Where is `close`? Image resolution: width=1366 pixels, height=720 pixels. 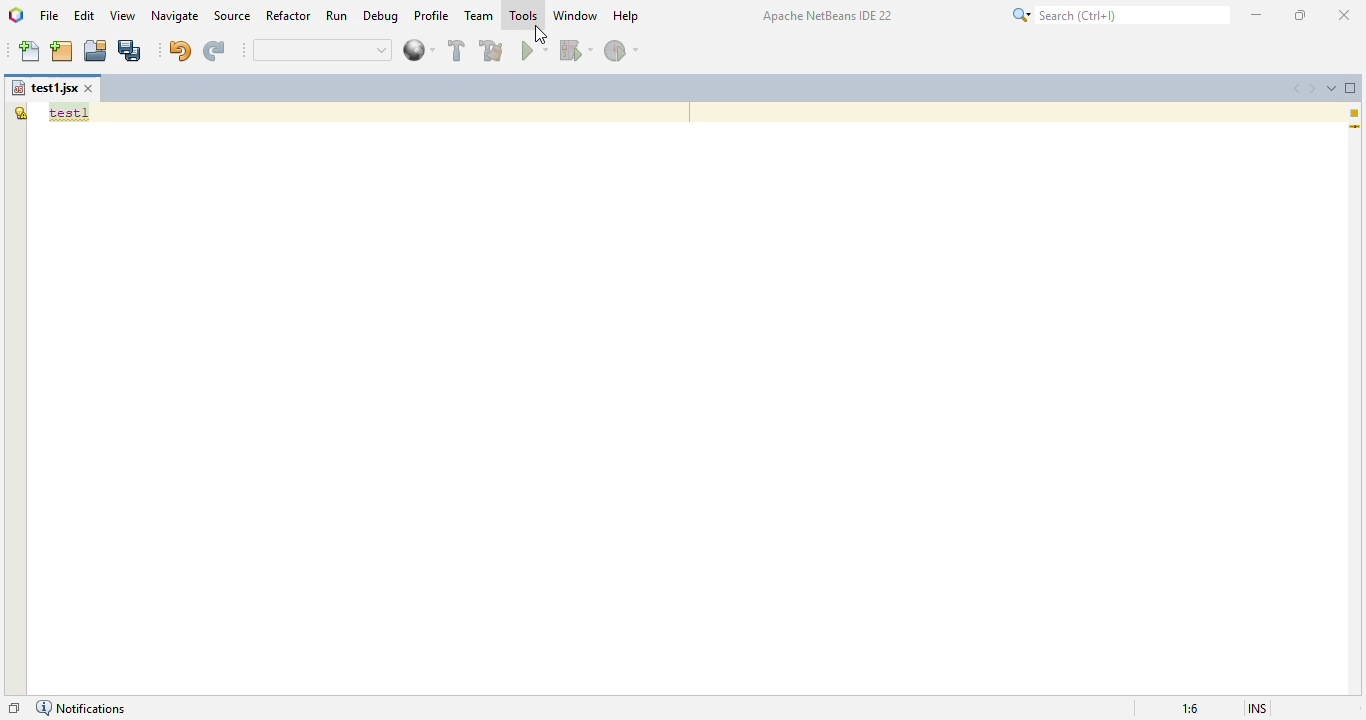 close is located at coordinates (1343, 14).